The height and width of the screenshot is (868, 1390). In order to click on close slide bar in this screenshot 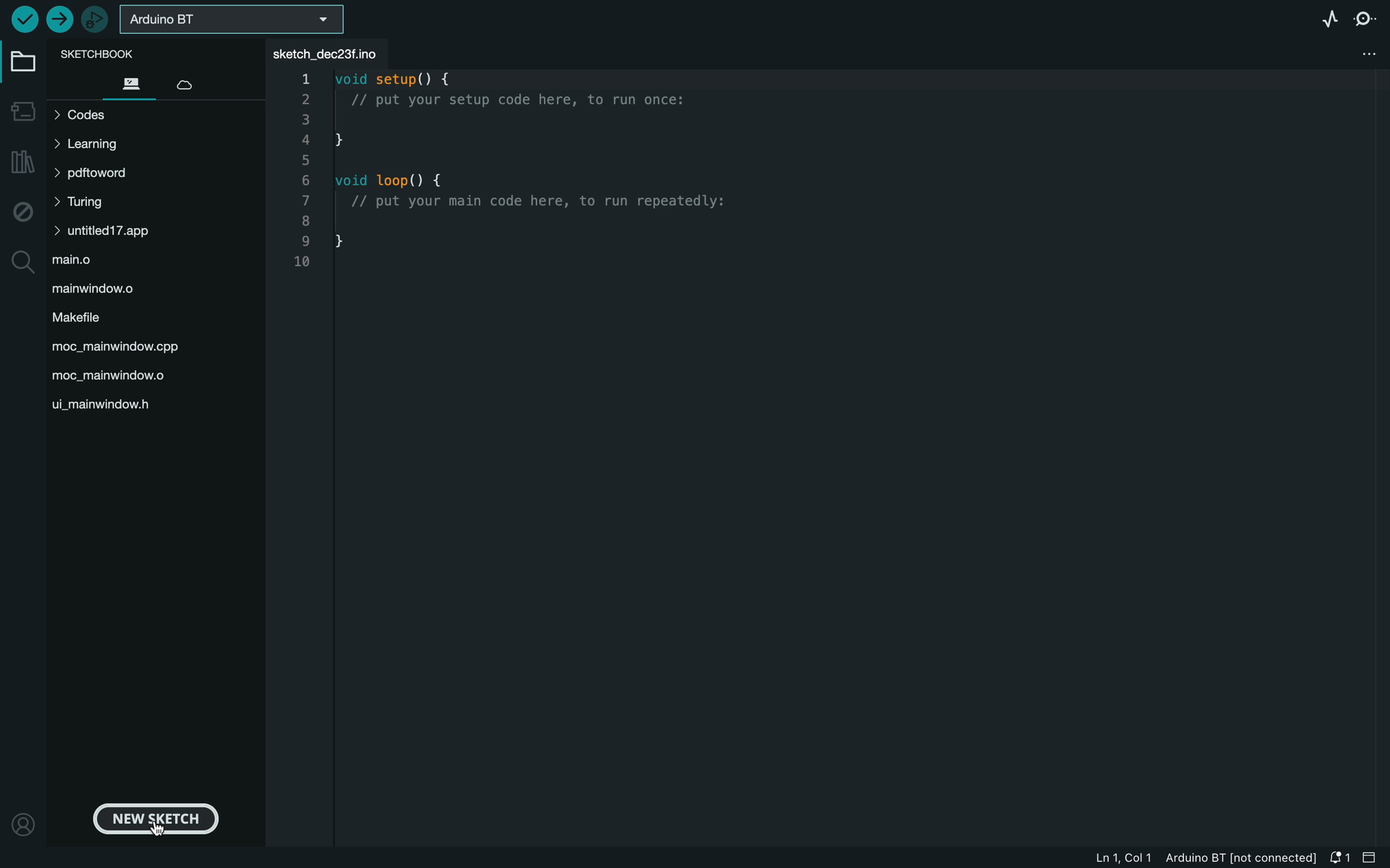, I will do `click(1372, 858)`.